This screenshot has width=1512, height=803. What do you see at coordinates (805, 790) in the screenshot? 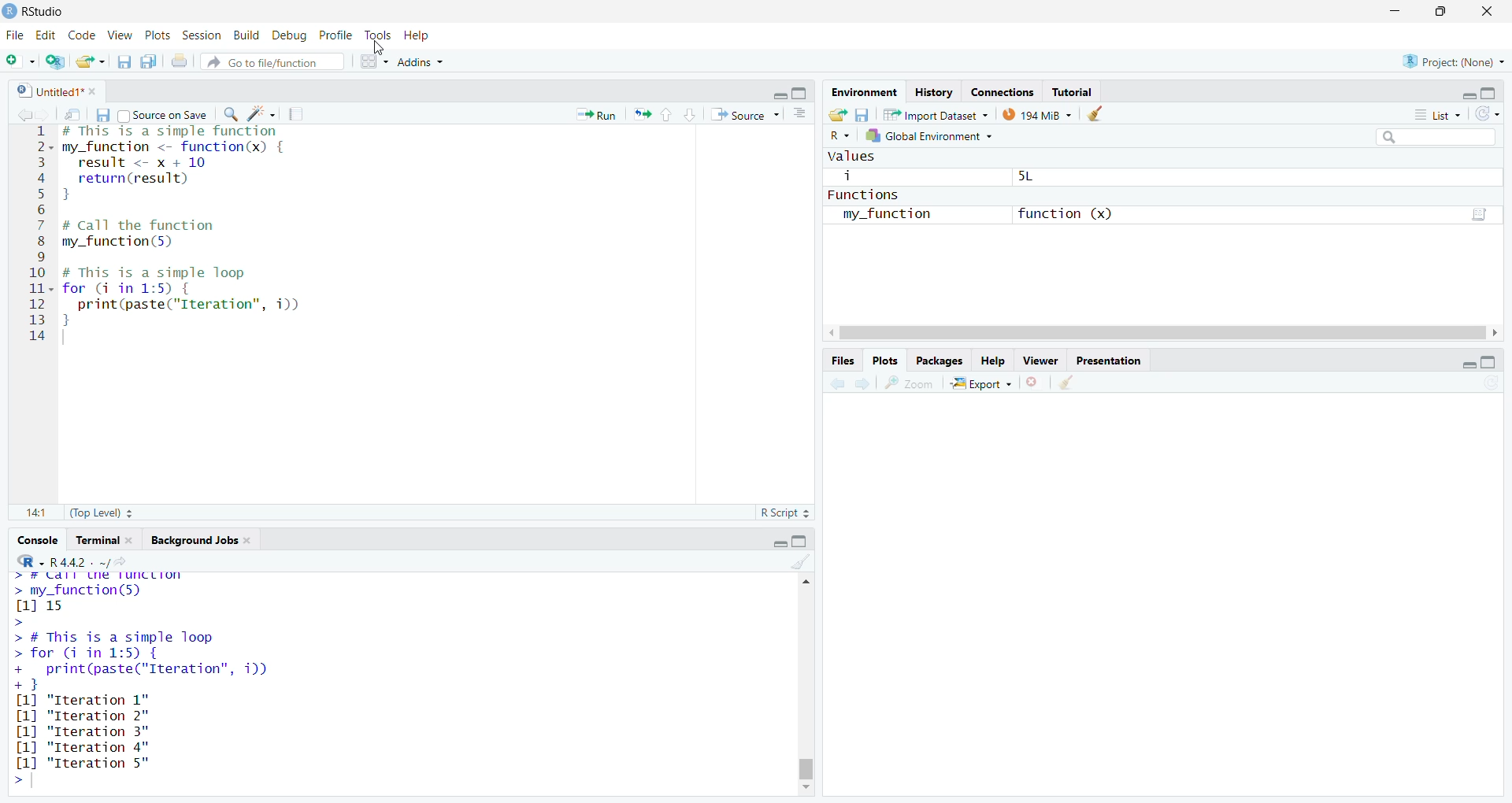
I see `move down` at bounding box center [805, 790].